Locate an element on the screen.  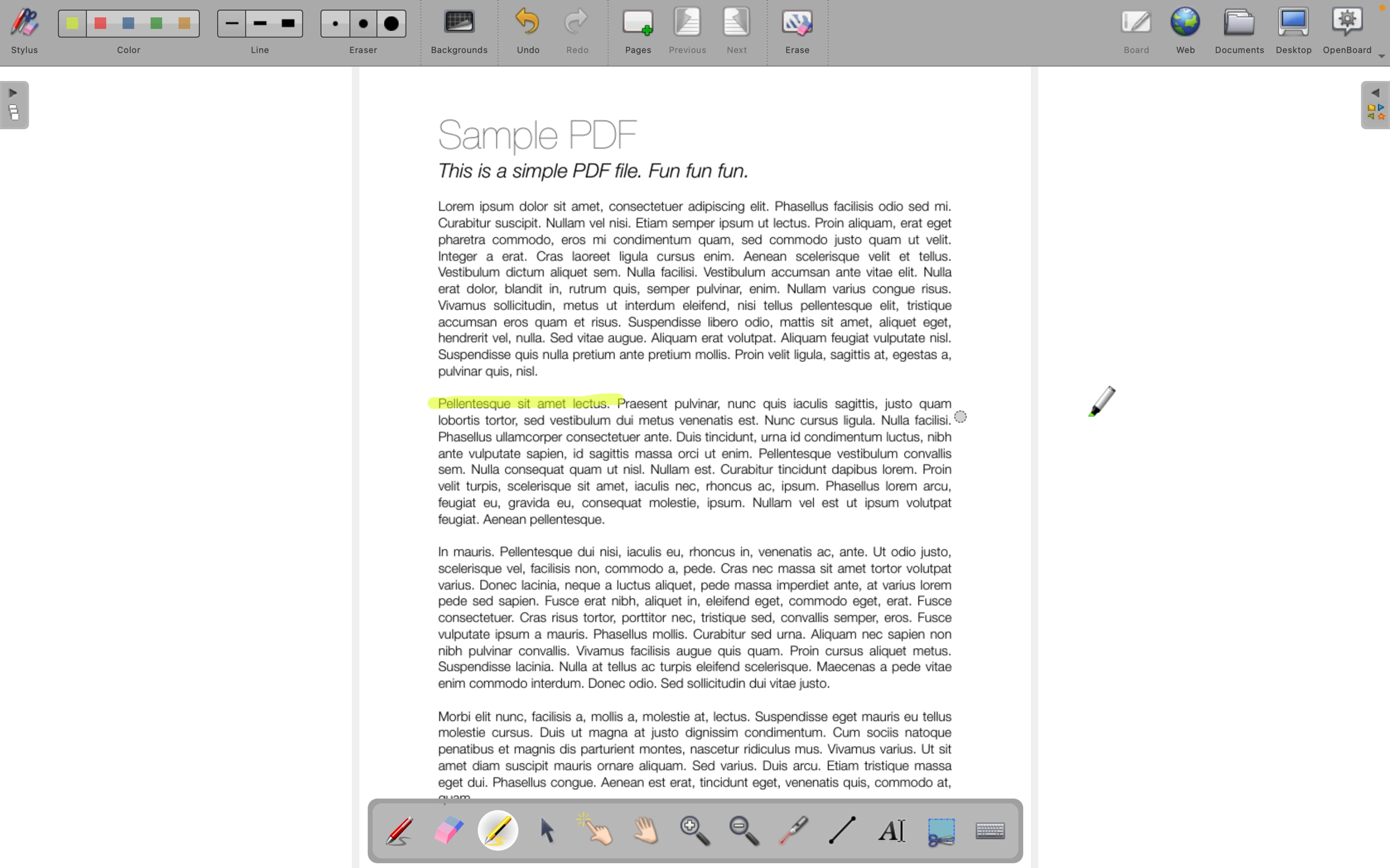
erase is located at coordinates (800, 38).